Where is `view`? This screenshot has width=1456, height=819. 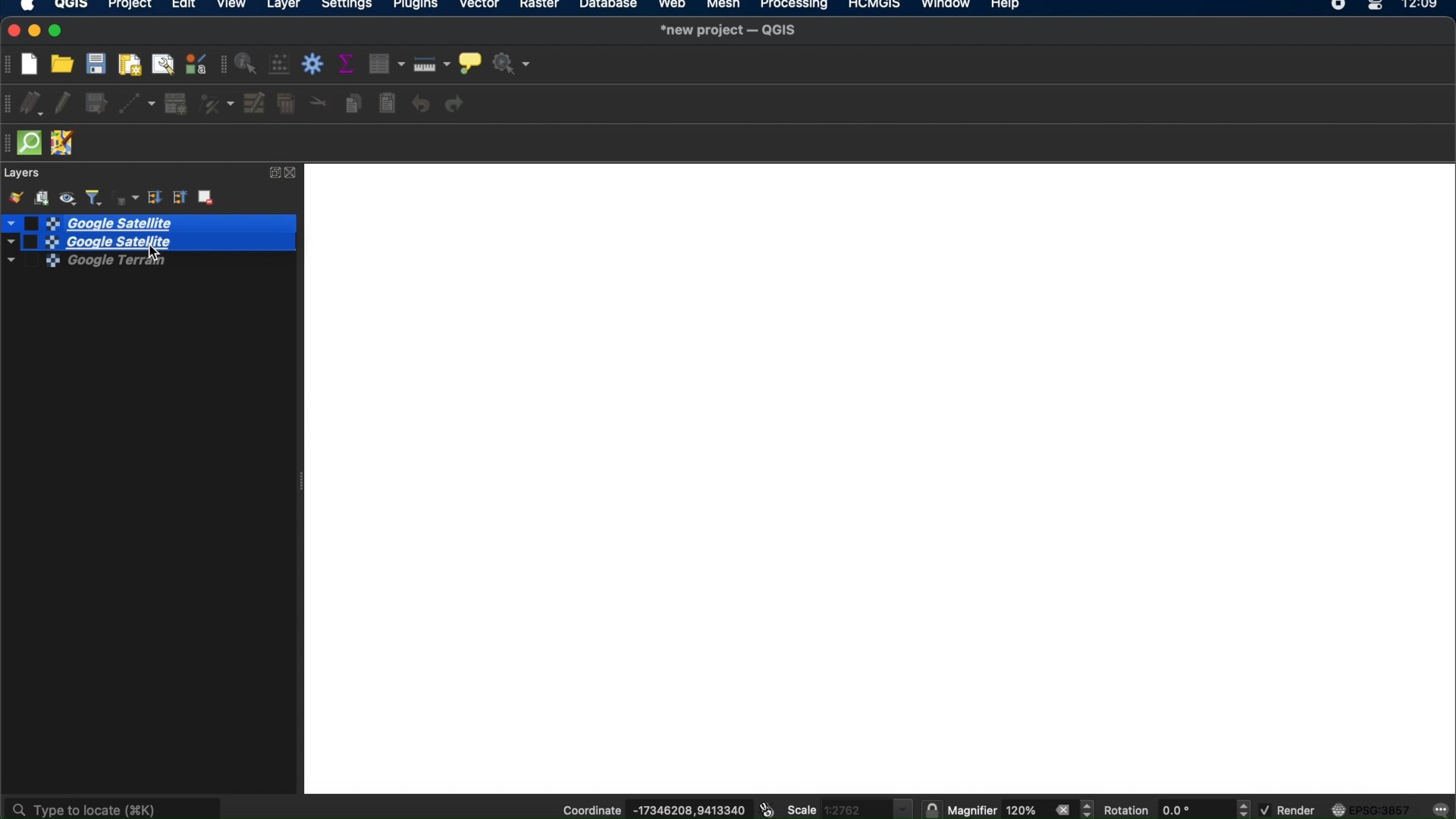 view is located at coordinates (233, 6).